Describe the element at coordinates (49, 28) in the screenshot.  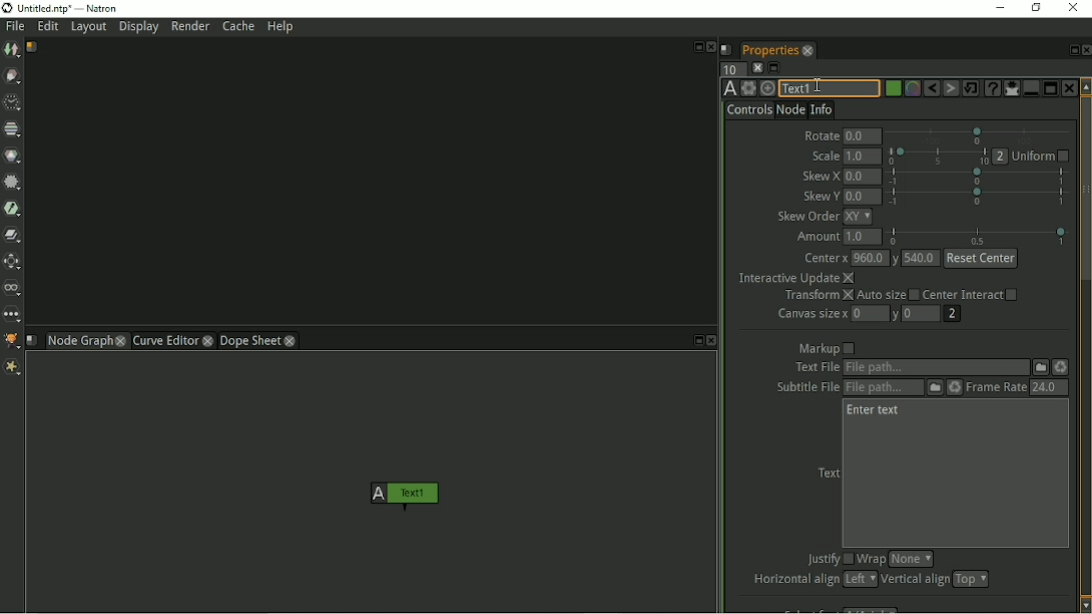
I see `Edit` at that location.